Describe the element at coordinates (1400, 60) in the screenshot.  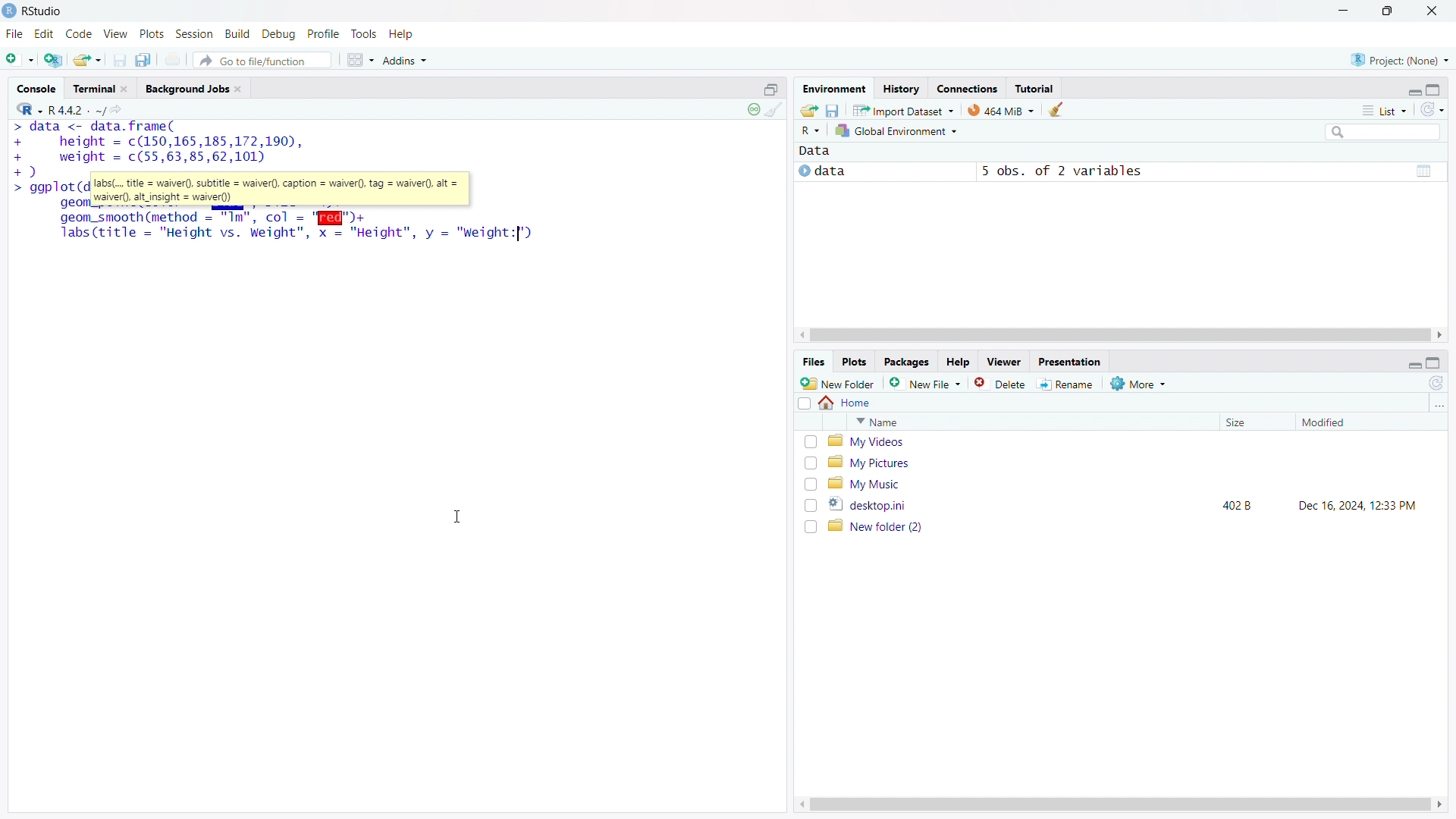
I see `select project` at that location.